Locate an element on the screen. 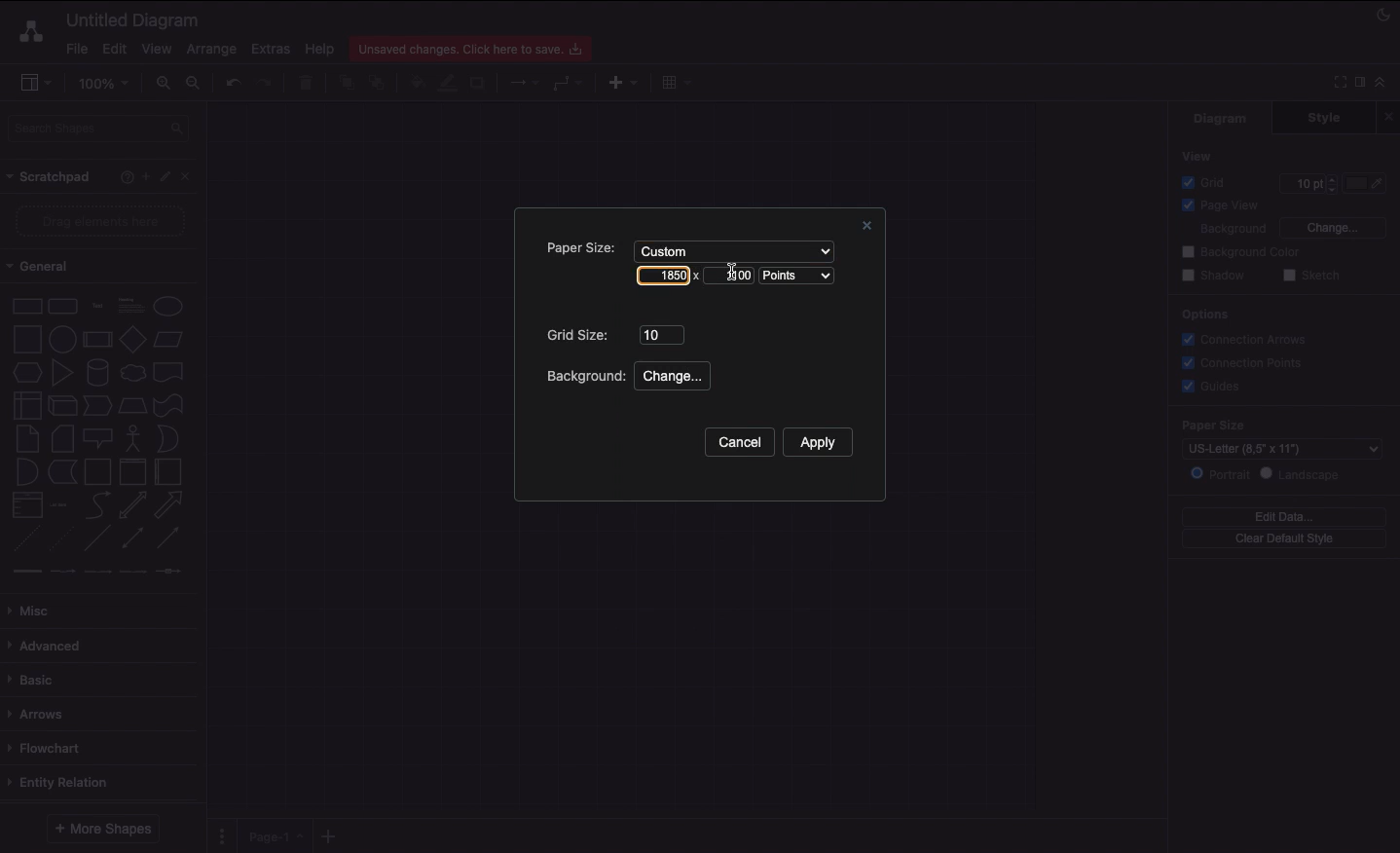  Tape is located at coordinates (171, 404).